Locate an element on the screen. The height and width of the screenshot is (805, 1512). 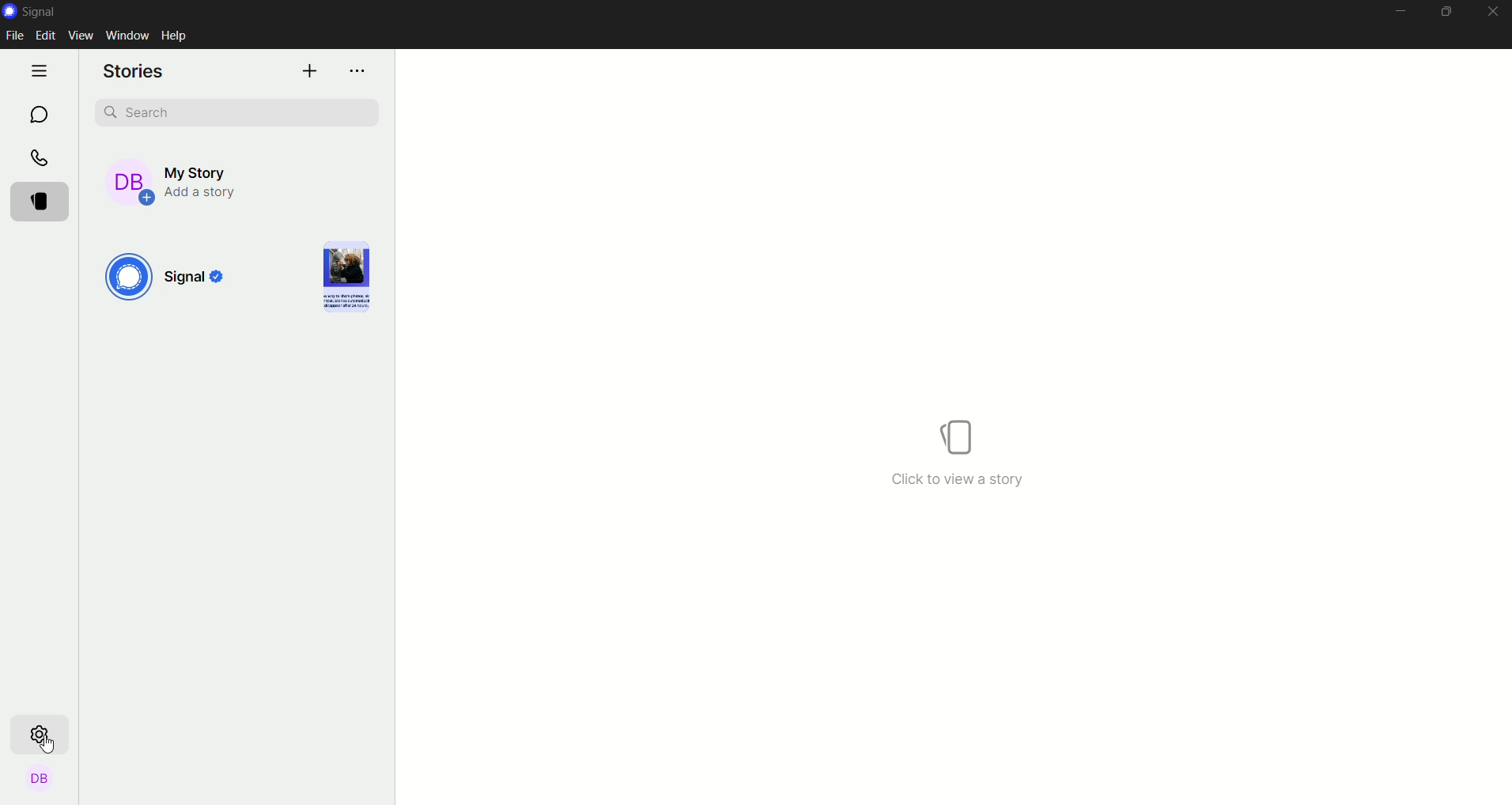
calls is located at coordinates (40, 158).